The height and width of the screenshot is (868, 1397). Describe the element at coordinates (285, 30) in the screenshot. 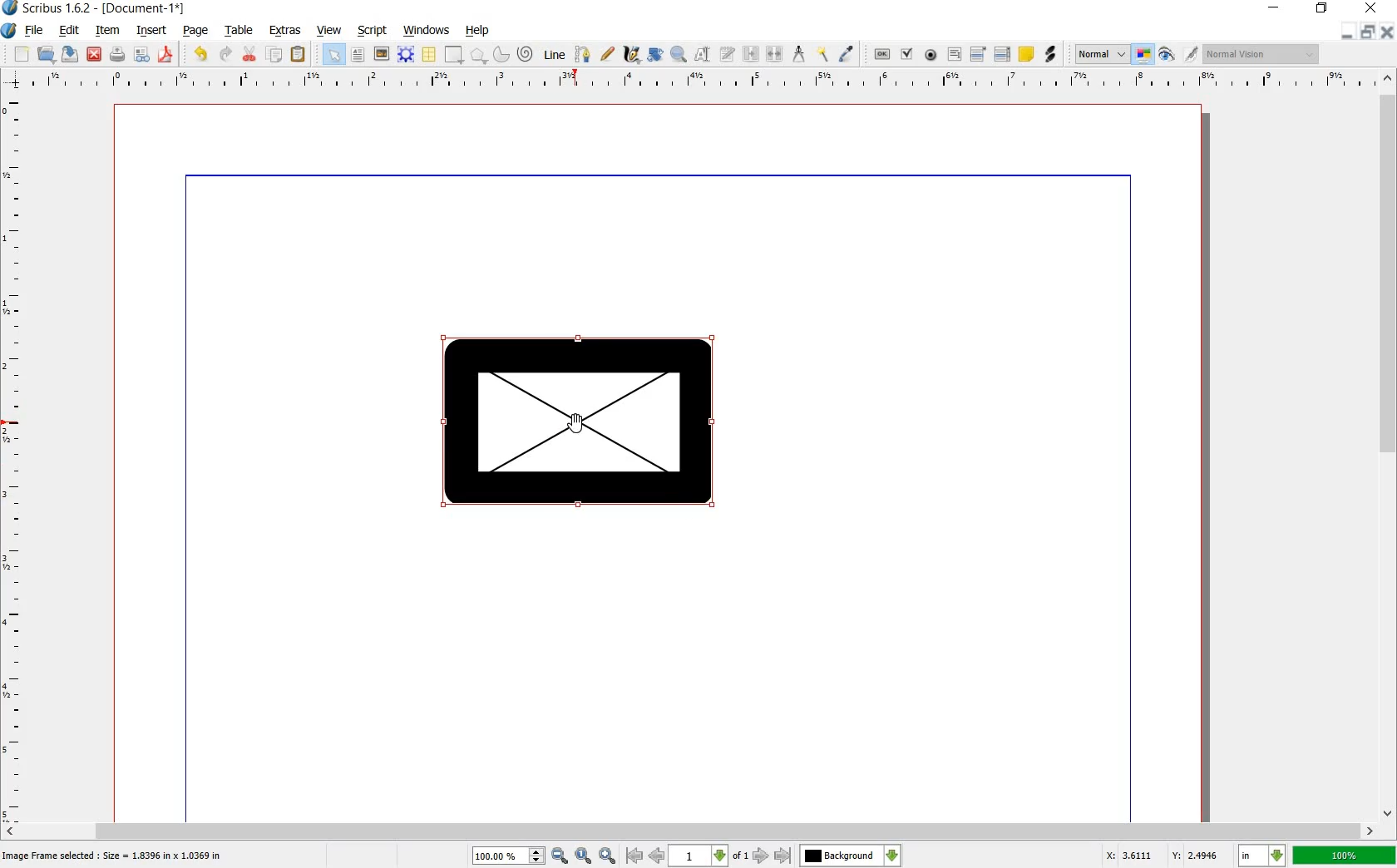

I see `extras` at that location.